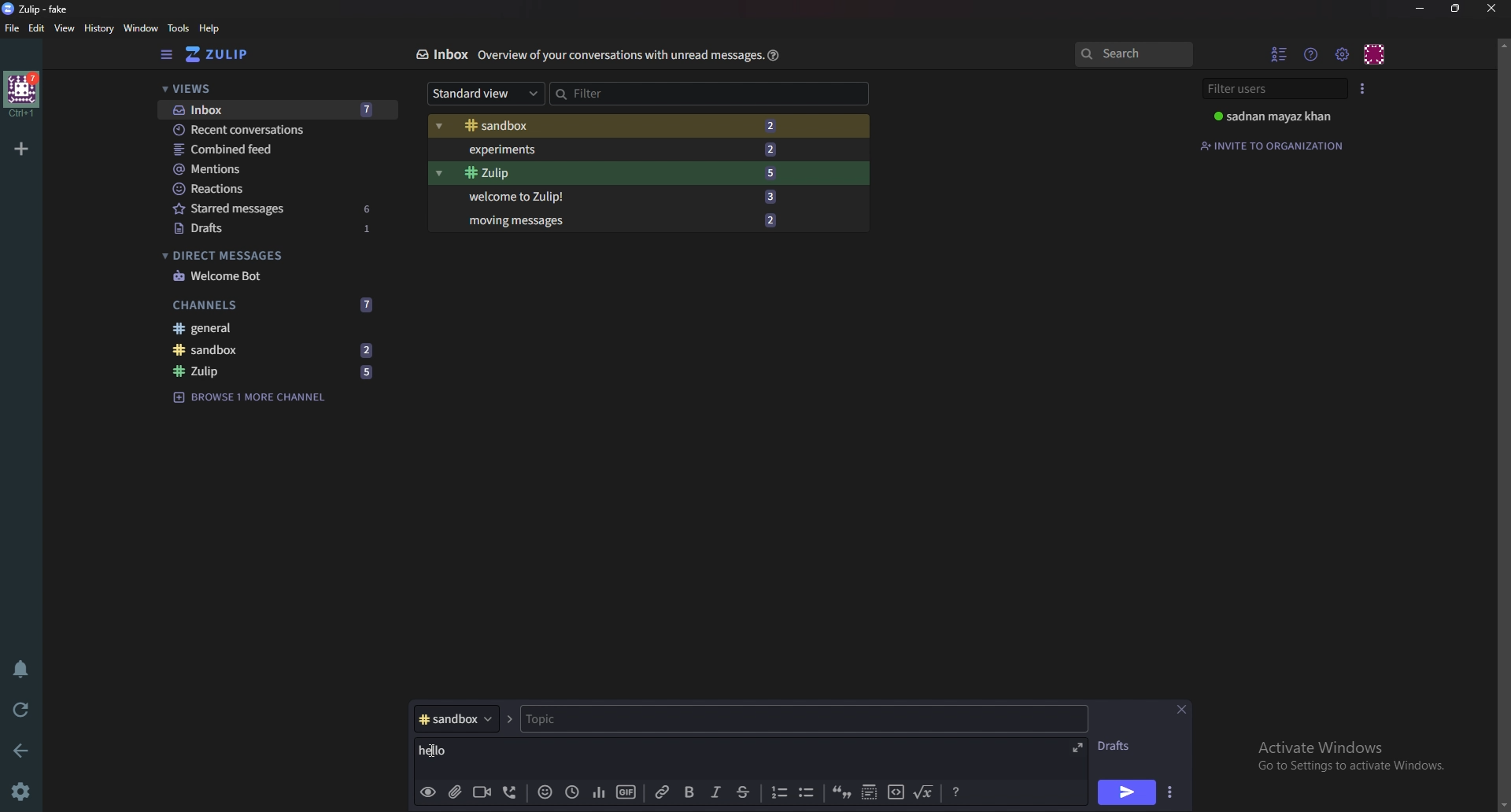 The width and height of the screenshot is (1511, 812). Describe the element at coordinates (273, 229) in the screenshot. I see `Drafts 1` at that location.